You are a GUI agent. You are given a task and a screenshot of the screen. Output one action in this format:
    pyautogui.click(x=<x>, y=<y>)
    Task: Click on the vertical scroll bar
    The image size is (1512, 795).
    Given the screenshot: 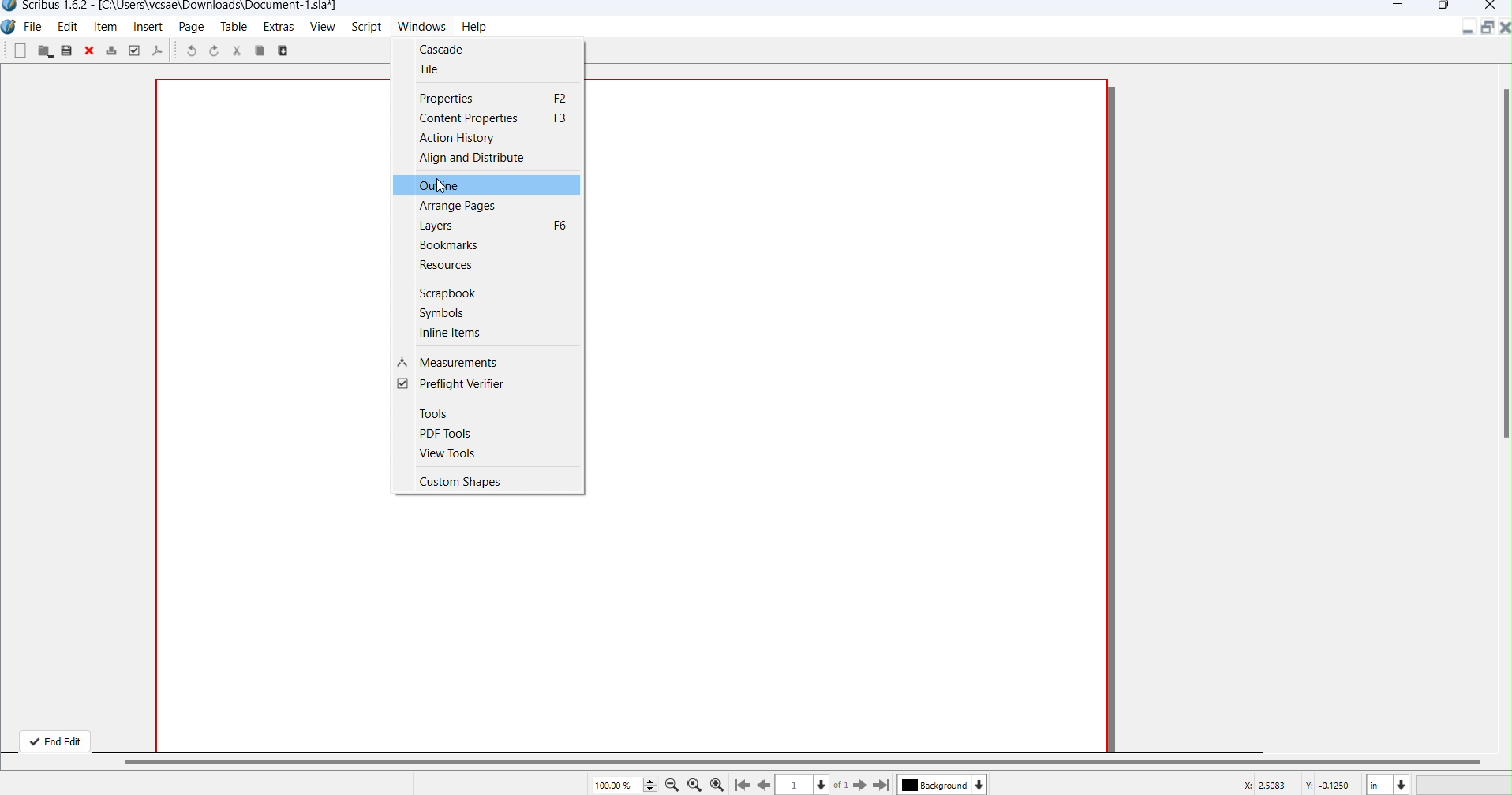 What is the action you would take?
    pyautogui.click(x=1503, y=255)
    